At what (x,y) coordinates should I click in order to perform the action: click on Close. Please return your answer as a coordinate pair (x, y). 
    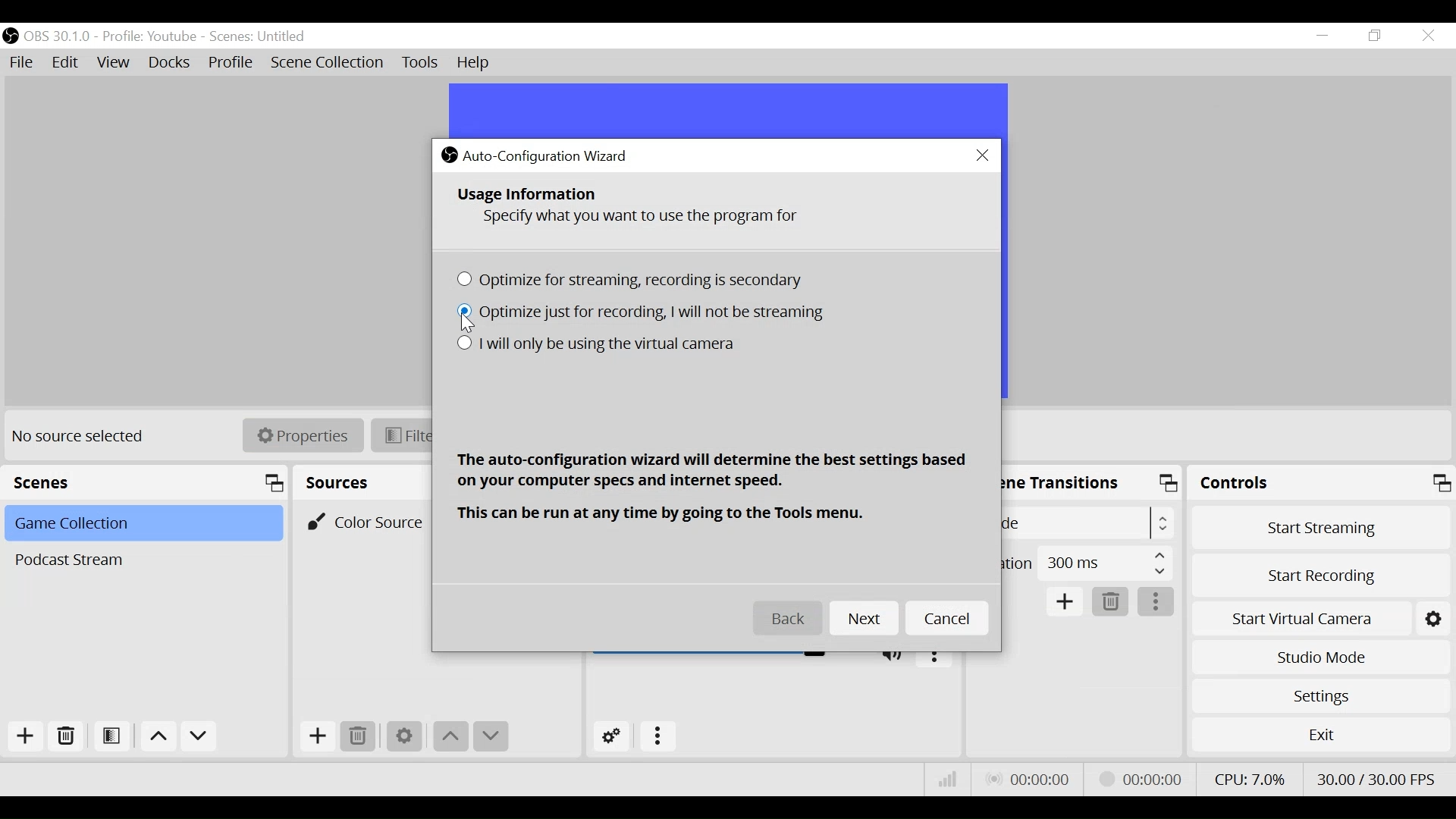
    Looking at the image, I should click on (984, 156).